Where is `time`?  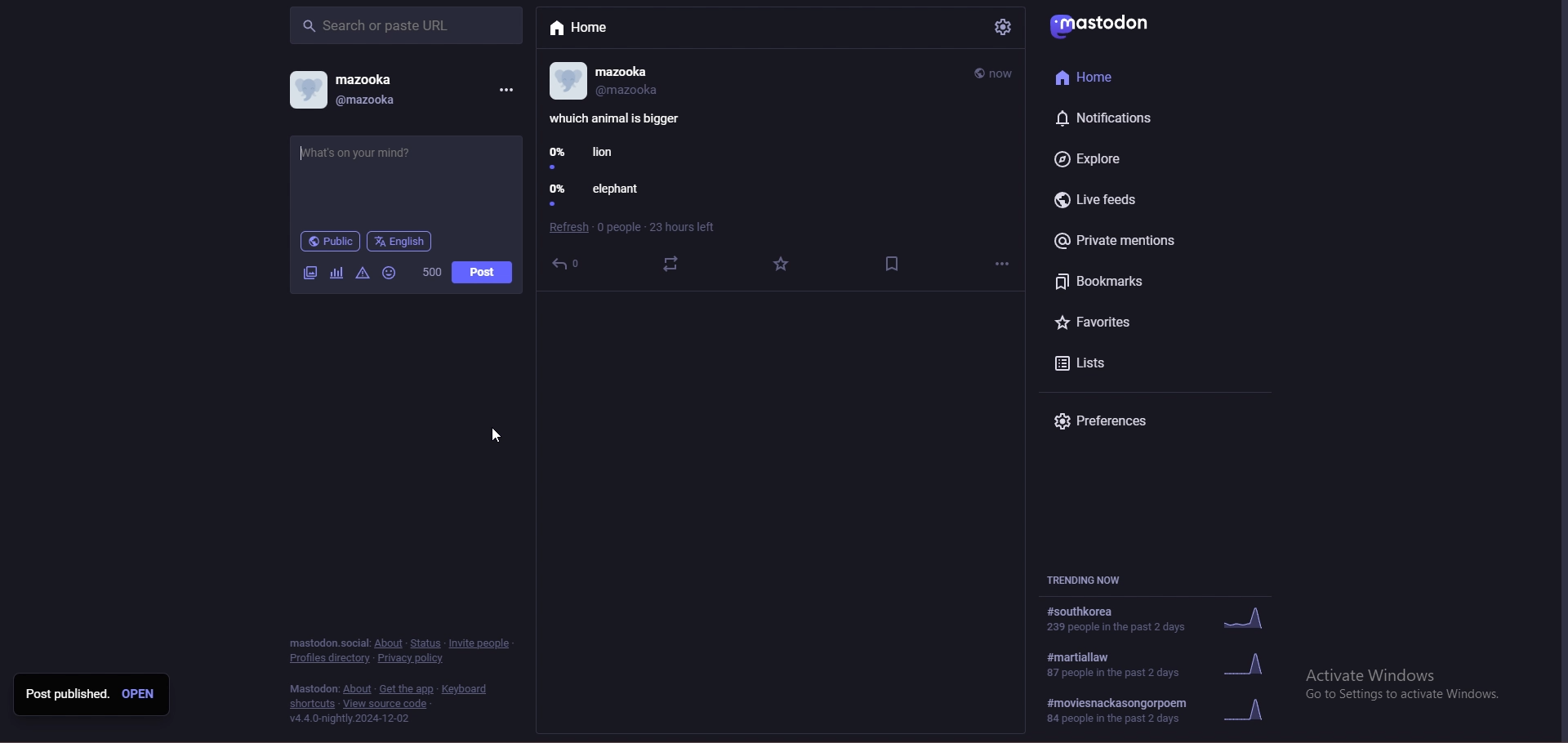
time is located at coordinates (996, 73).